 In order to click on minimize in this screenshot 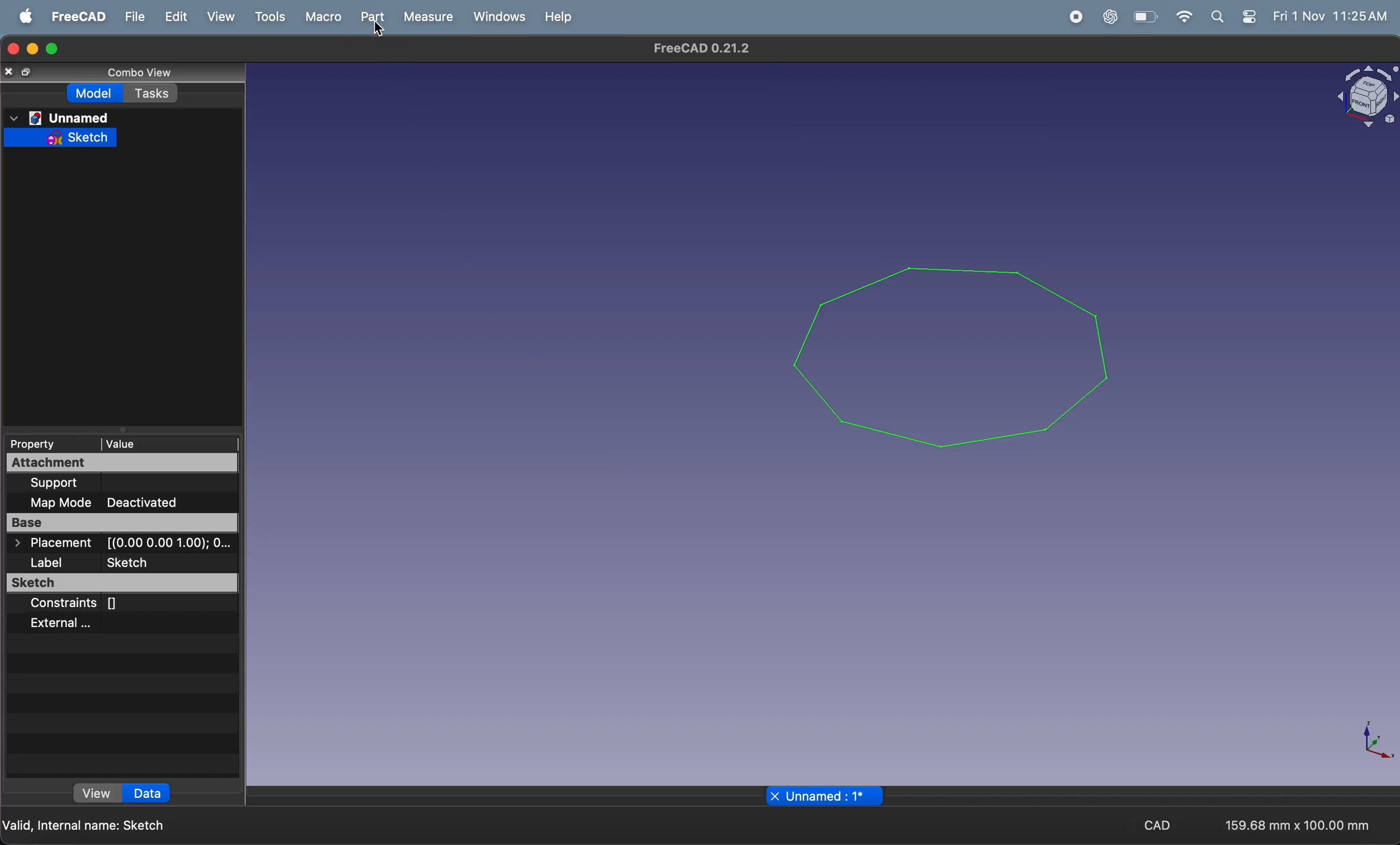, I will do `click(33, 49)`.